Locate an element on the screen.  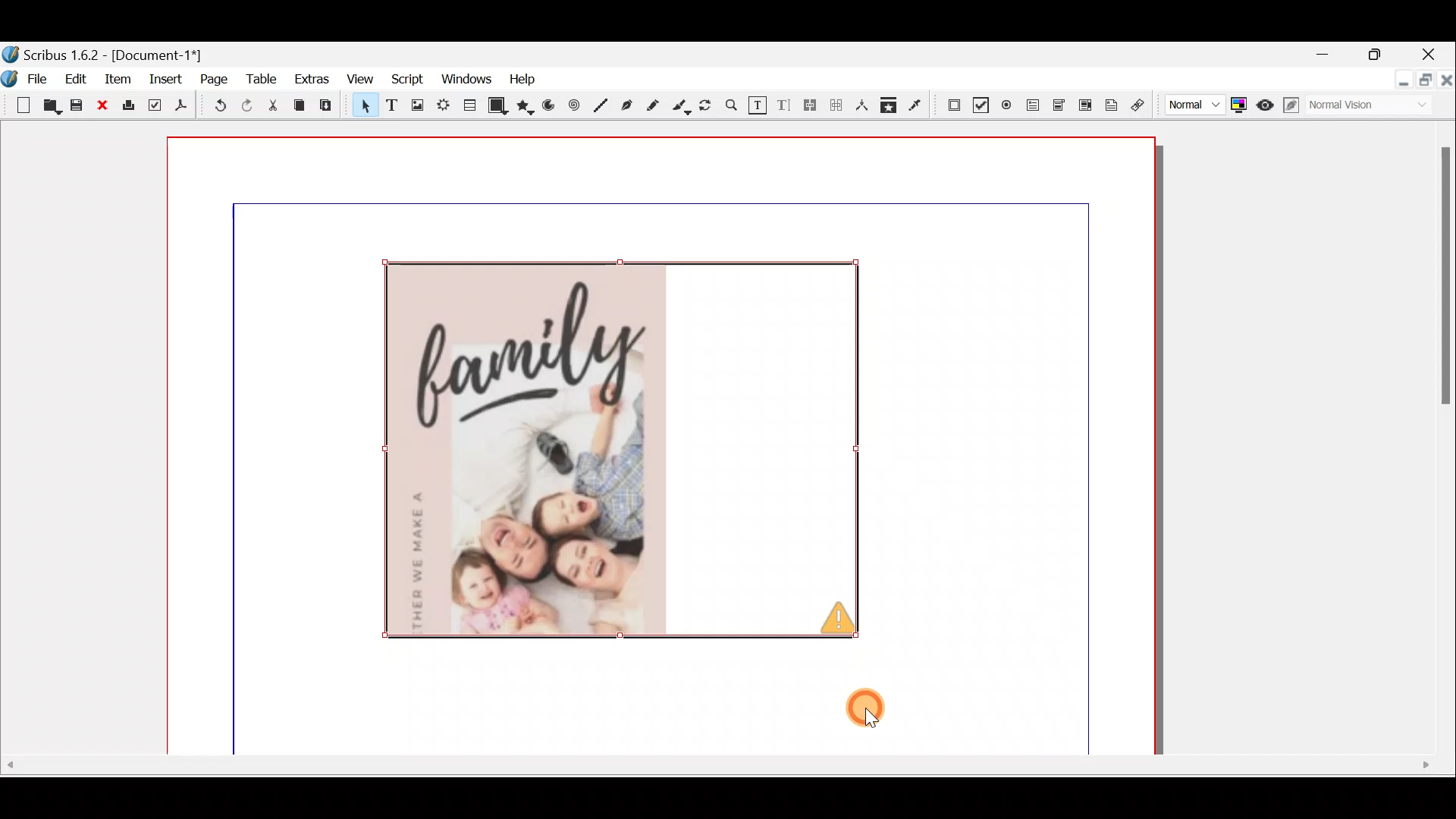
Edit in preview mode is located at coordinates (1294, 105).